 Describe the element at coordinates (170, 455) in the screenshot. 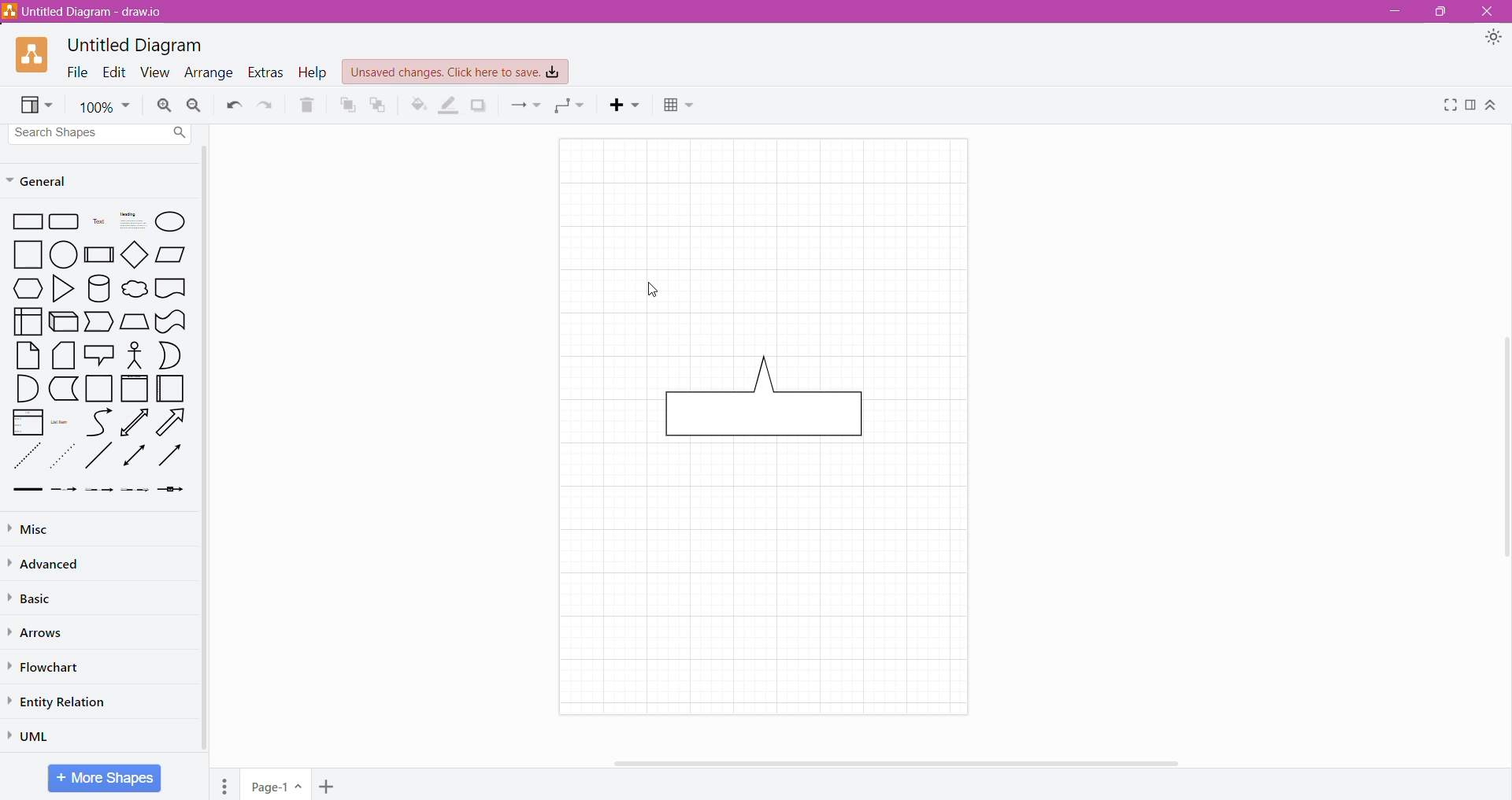

I see `Rightward Thick Arrow` at that location.